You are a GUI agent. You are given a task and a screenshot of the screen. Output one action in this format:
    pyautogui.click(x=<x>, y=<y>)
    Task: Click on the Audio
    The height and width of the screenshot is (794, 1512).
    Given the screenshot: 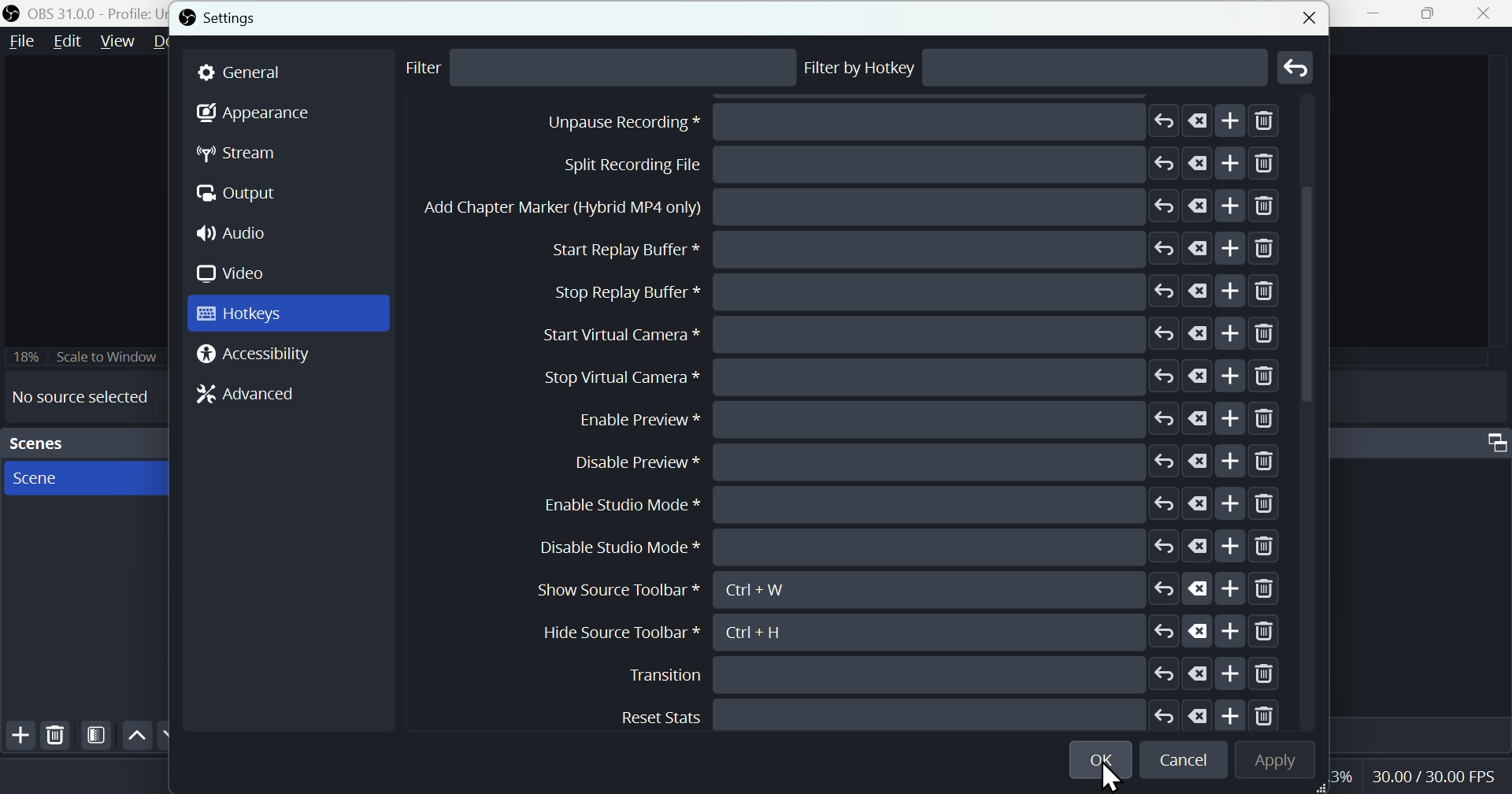 What is the action you would take?
    pyautogui.click(x=239, y=235)
    